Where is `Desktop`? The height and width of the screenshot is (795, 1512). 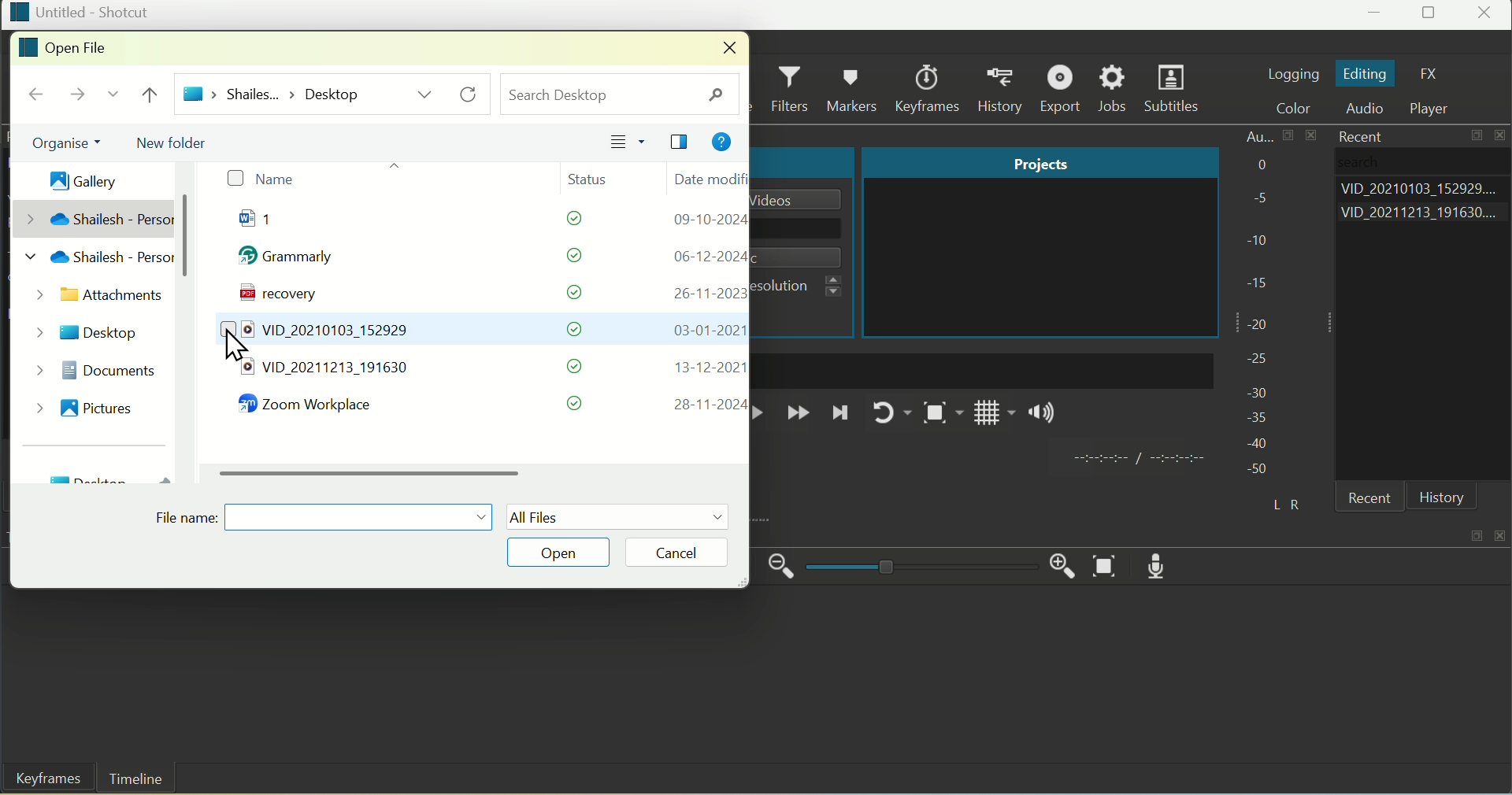 Desktop is located at coordinates (90, 329).